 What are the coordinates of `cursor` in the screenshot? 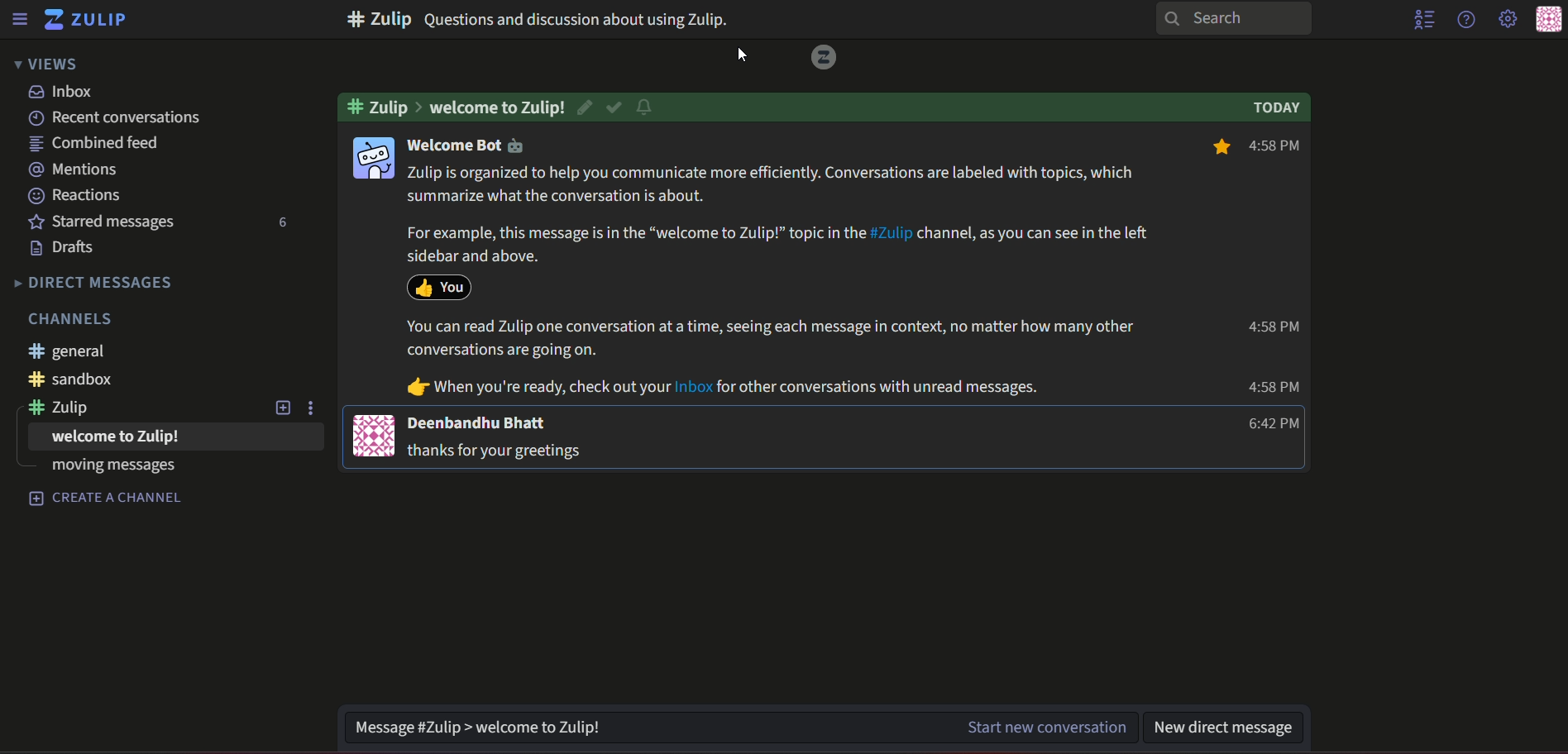 It's located at (741, 57).